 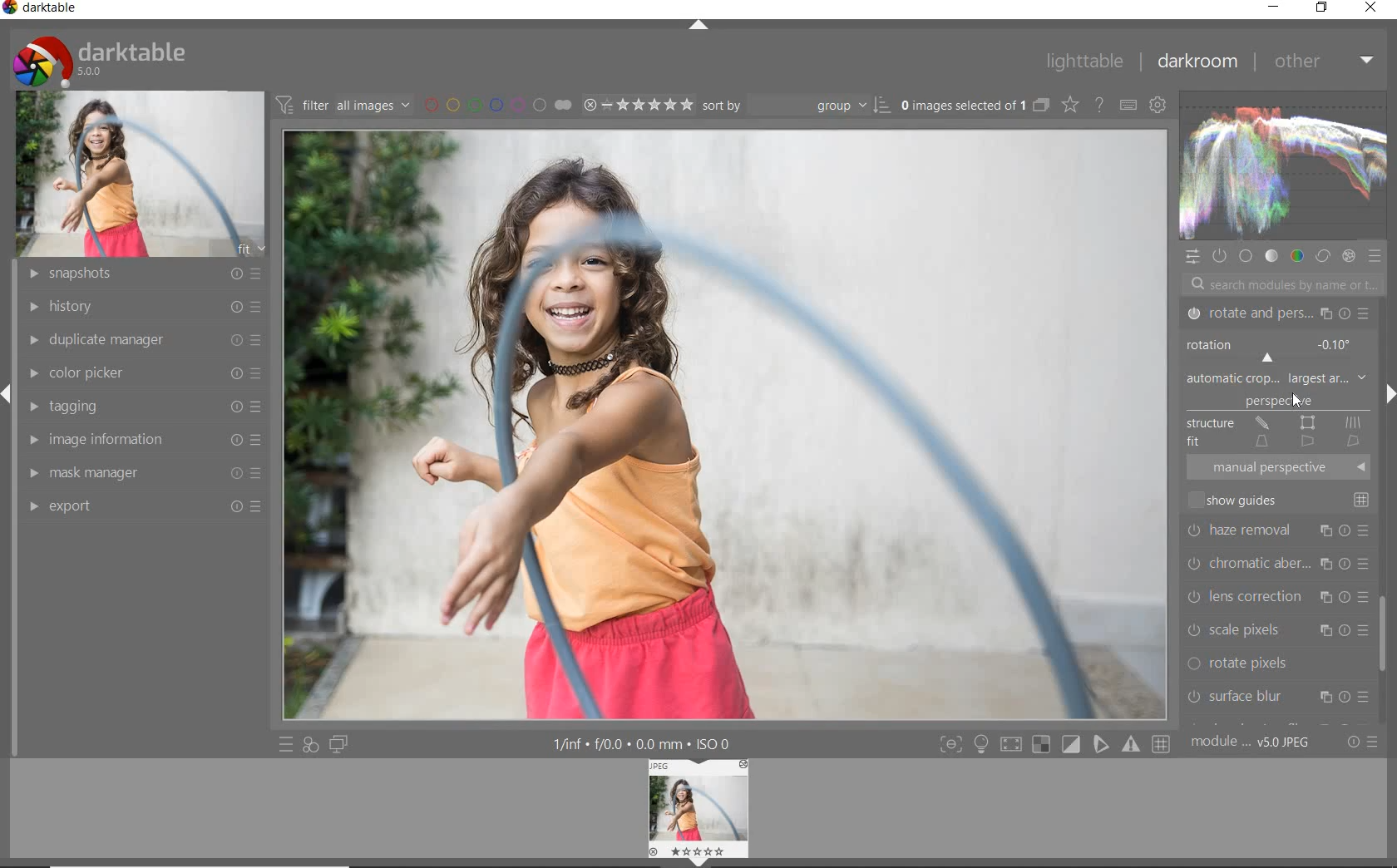 What do you see at coordinates (1272, 627) in the screenshot?
I see `scale pixels` at bounding box center [1272, 627].